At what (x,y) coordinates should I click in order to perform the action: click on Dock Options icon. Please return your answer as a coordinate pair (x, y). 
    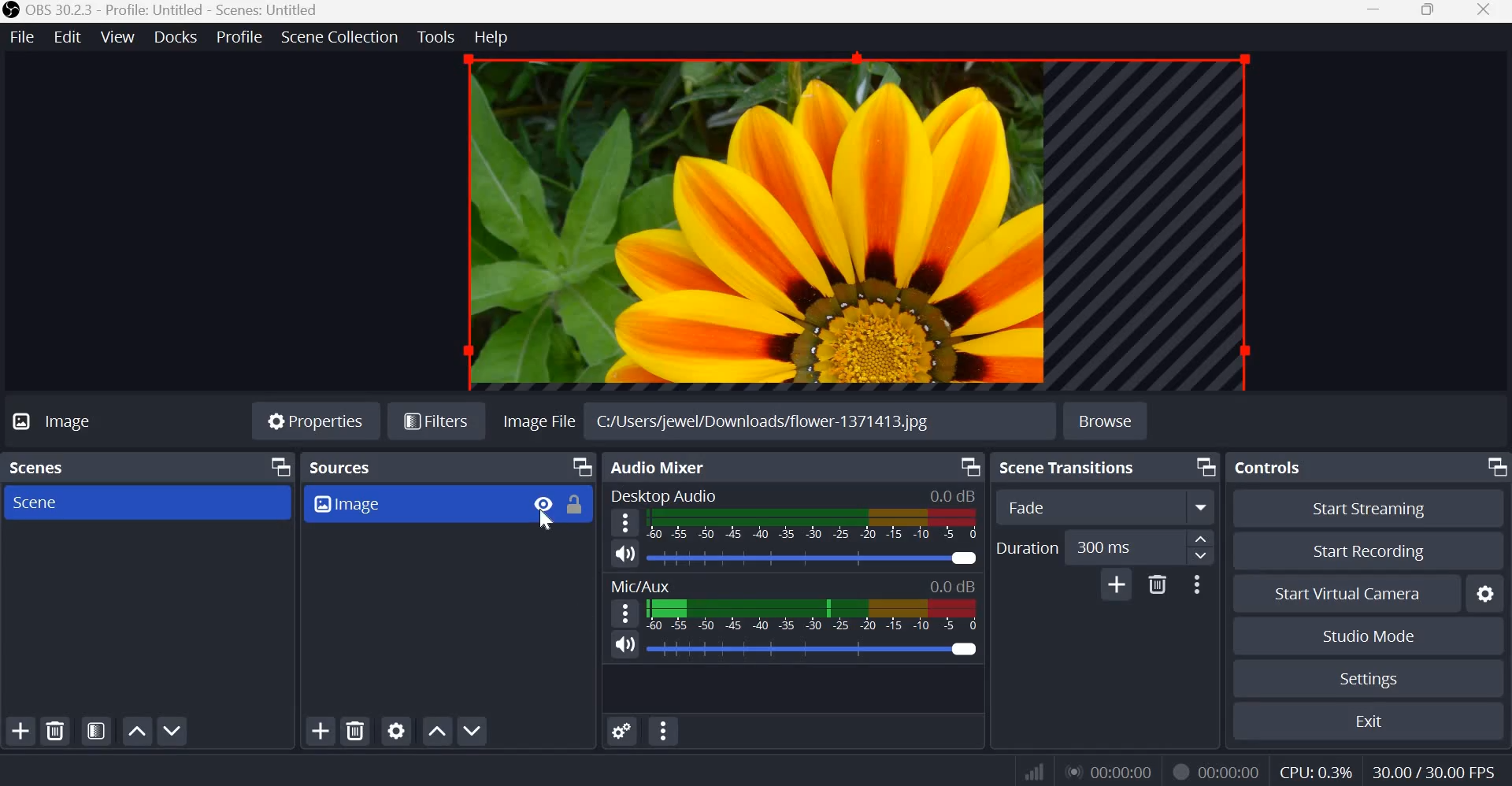
    Looking at the image, I should click on (277, 466).